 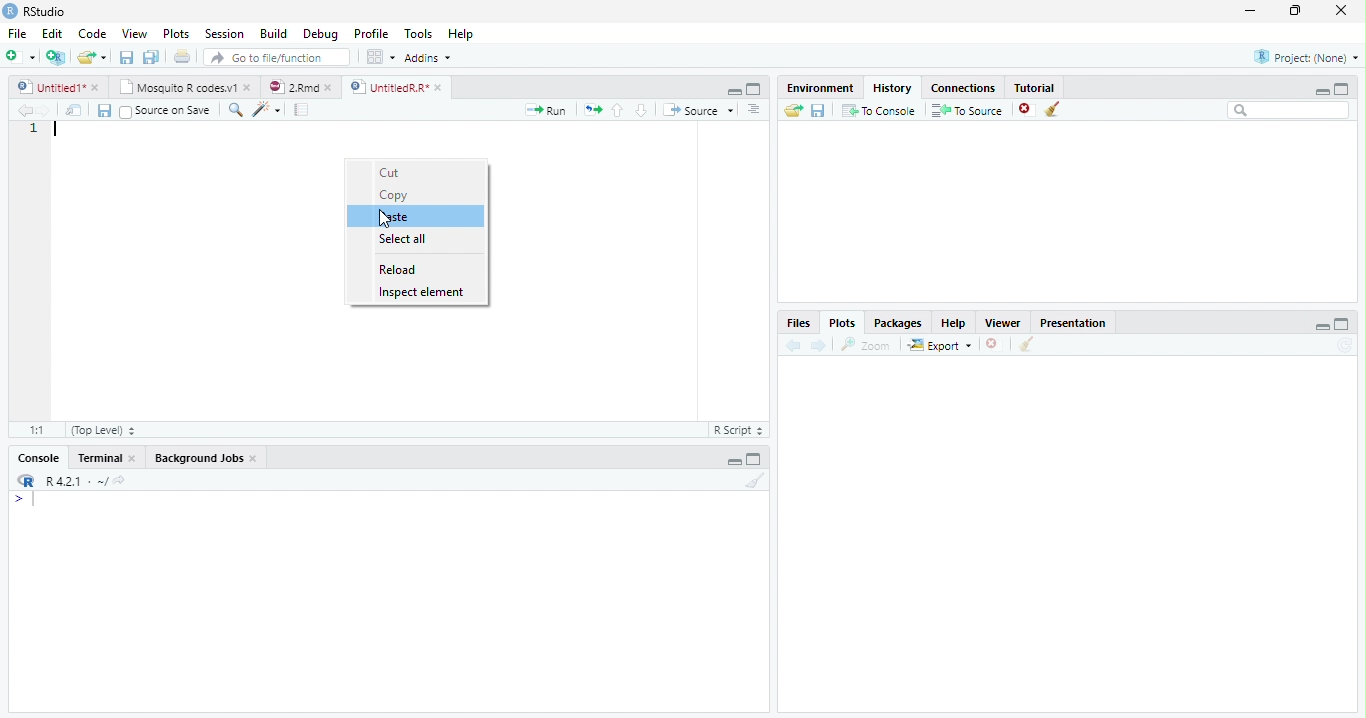 What do you see at coordinates (1056, 109) in the screenshot?
I see `Clean` at bounding box center [1056, 109].